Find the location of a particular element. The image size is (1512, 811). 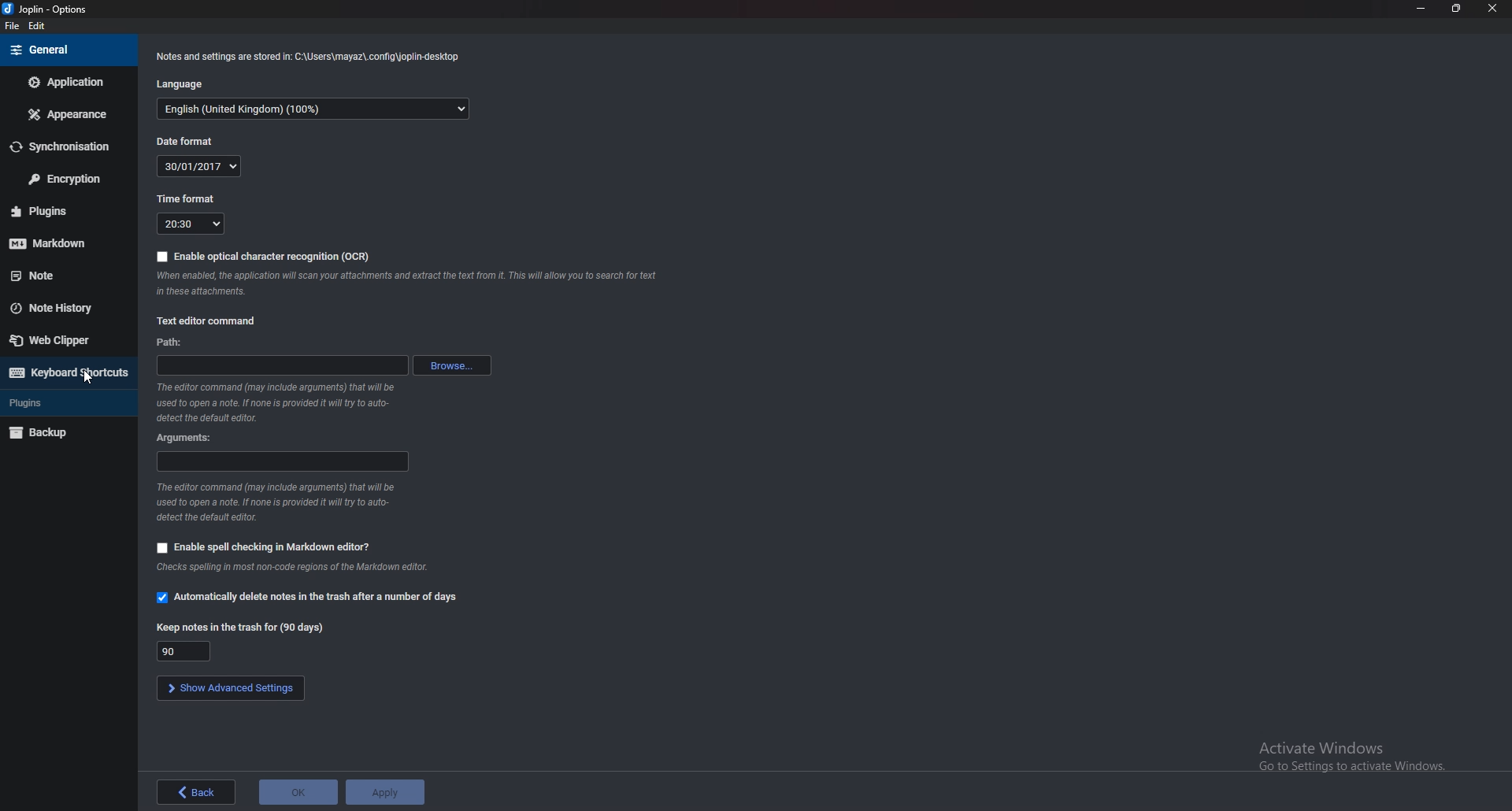

apply is located at coordinates (386, 793).